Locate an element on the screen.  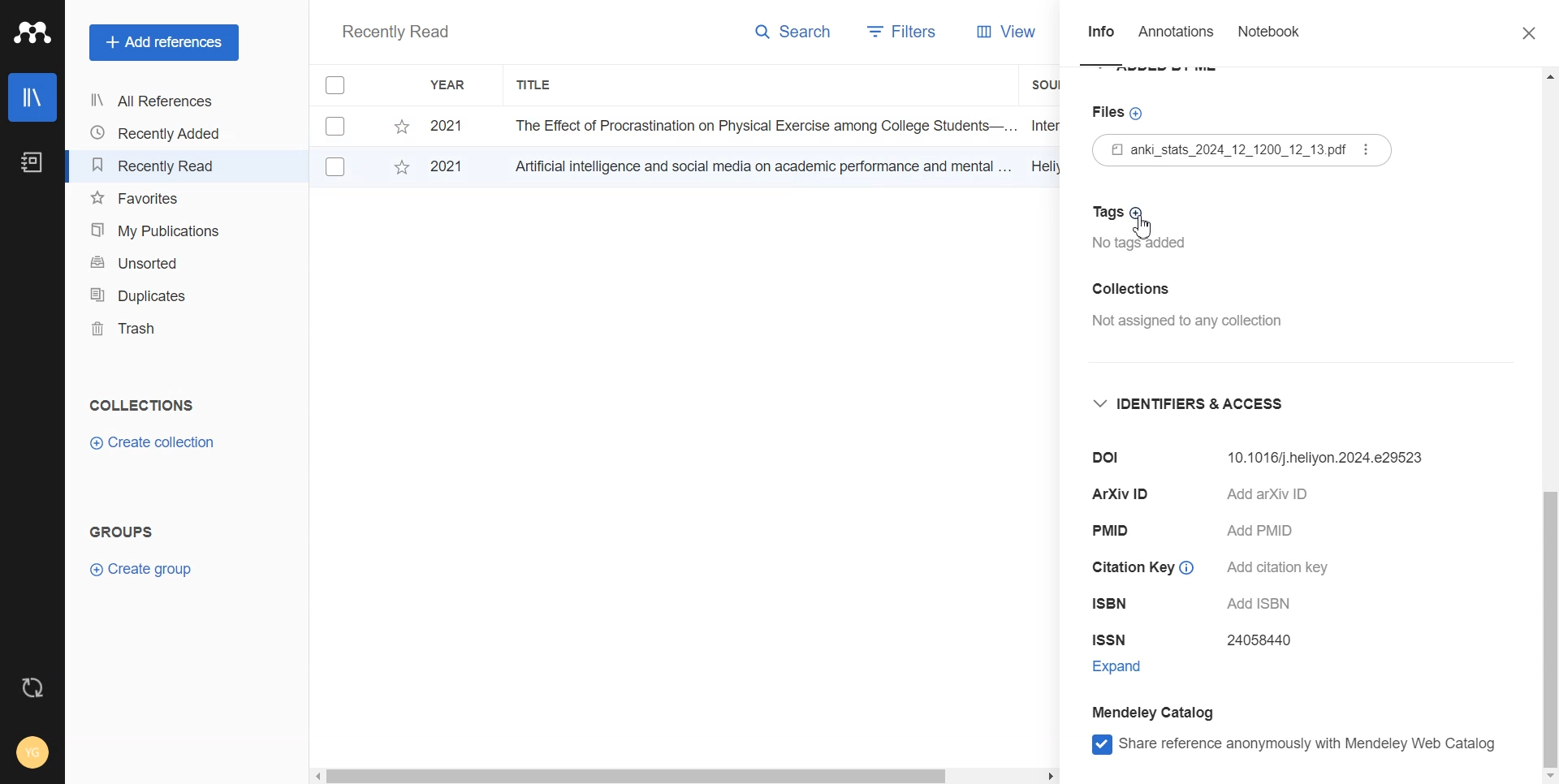
Tags is located at coordinates (1120, 210).